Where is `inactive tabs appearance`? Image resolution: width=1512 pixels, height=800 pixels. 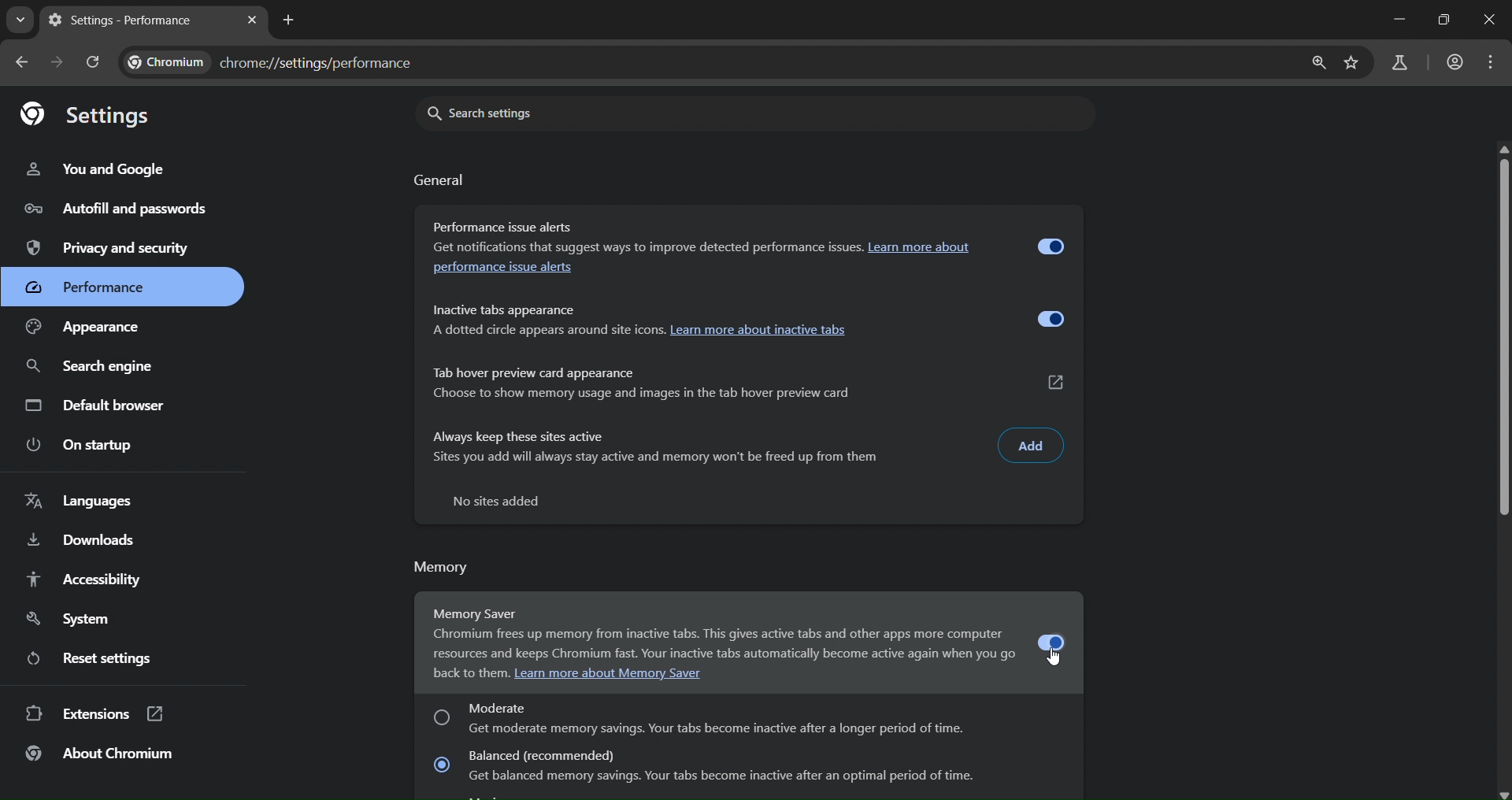 inactive tabs appearance is located at coordinates (504, 309).